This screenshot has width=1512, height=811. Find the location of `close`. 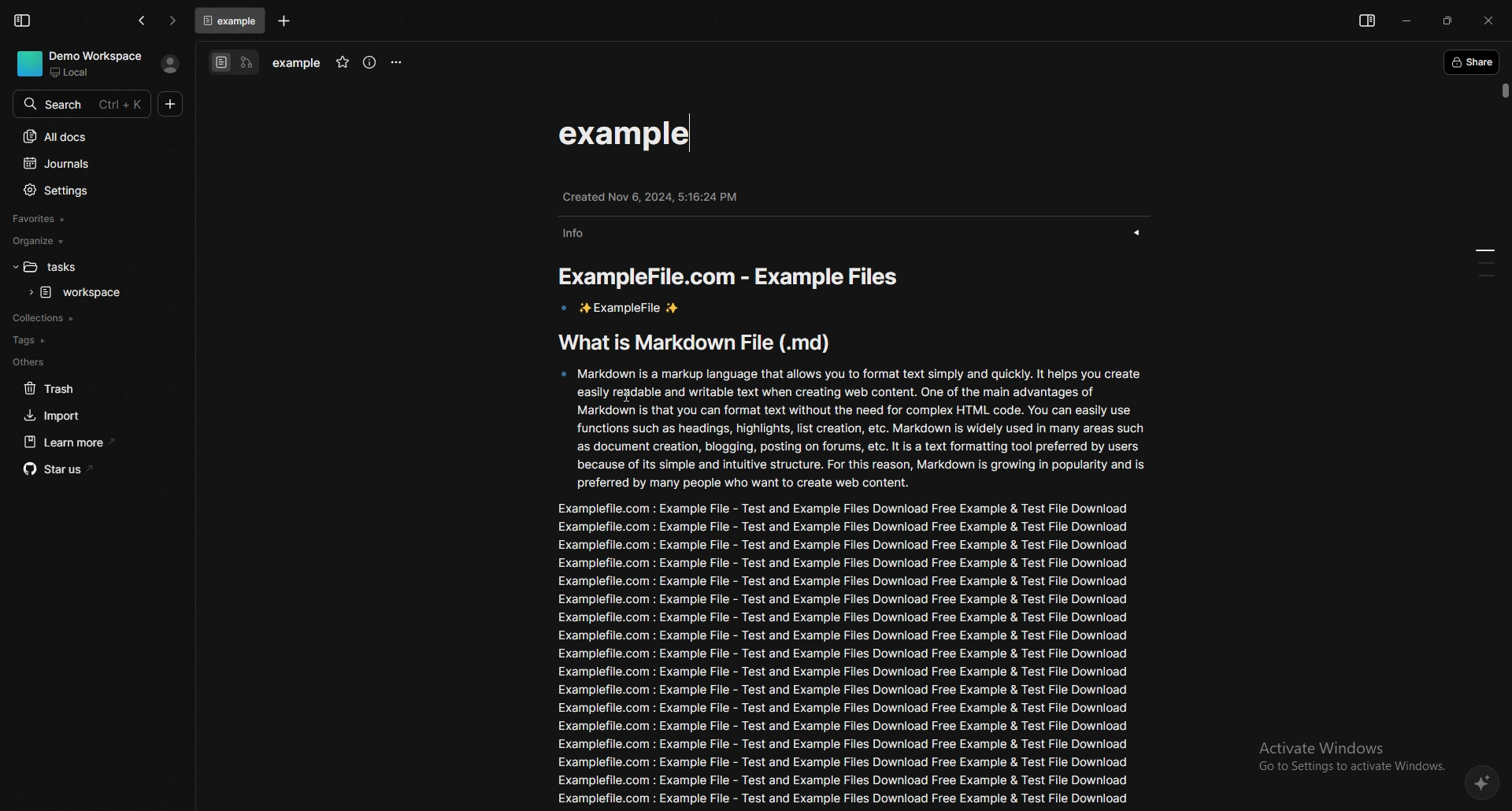

close is located at coordinates (1489, 21).